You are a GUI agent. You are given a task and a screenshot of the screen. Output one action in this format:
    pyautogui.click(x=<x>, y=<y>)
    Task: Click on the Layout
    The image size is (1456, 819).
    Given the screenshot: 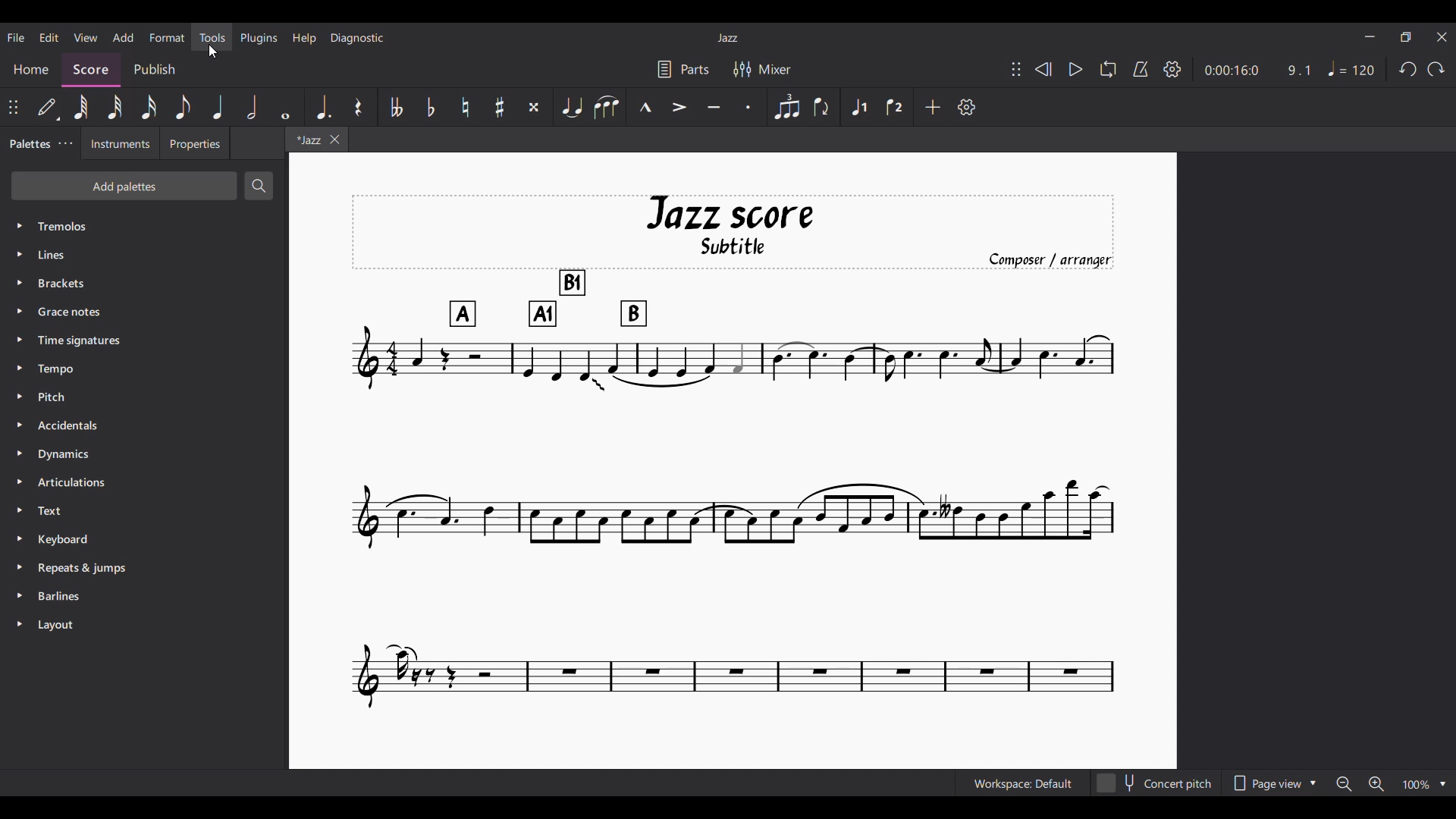 What is the action you would take?
    pyautogui.click(x=144, y=625)
    